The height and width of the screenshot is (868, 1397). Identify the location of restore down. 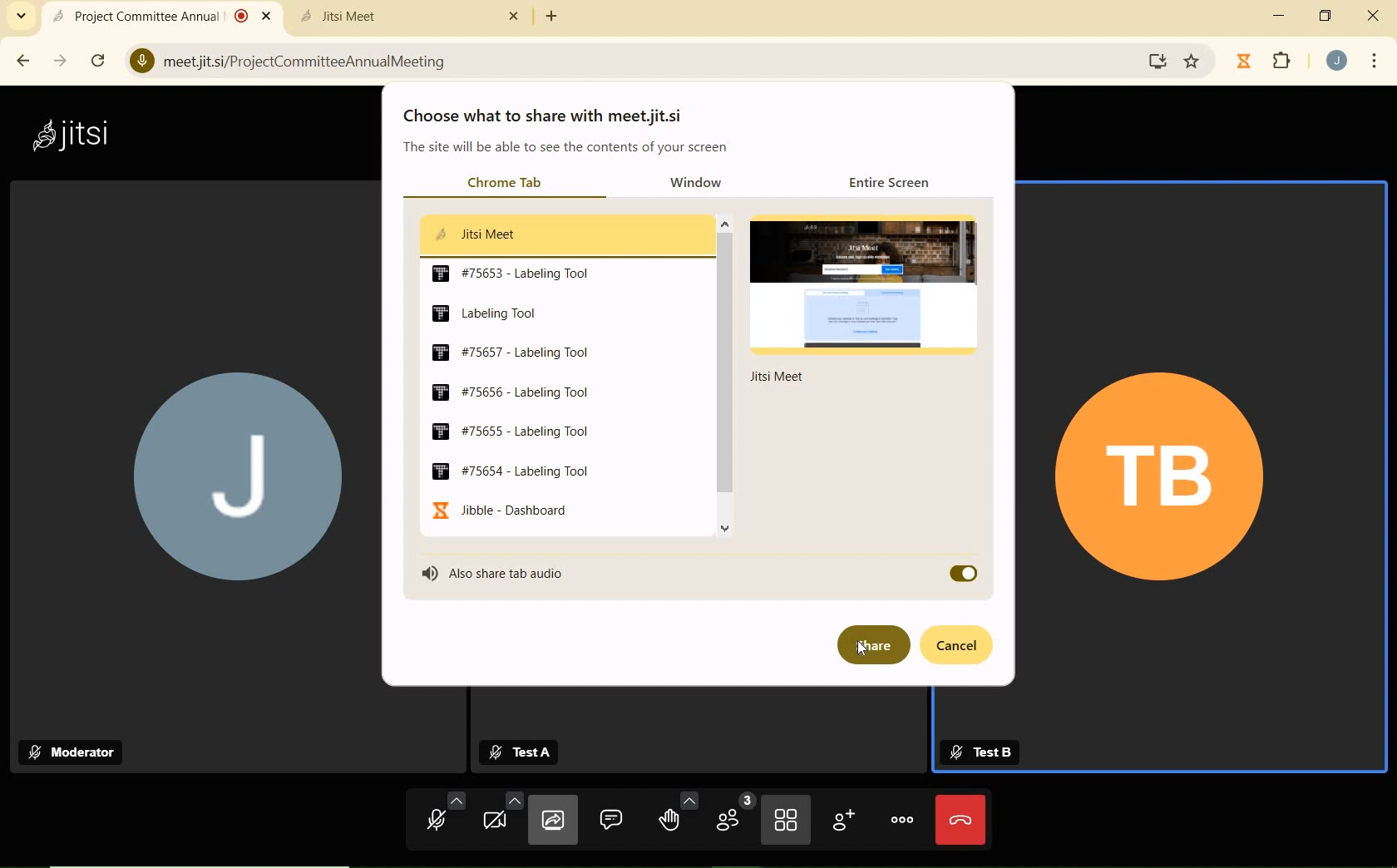
(1327, 16).